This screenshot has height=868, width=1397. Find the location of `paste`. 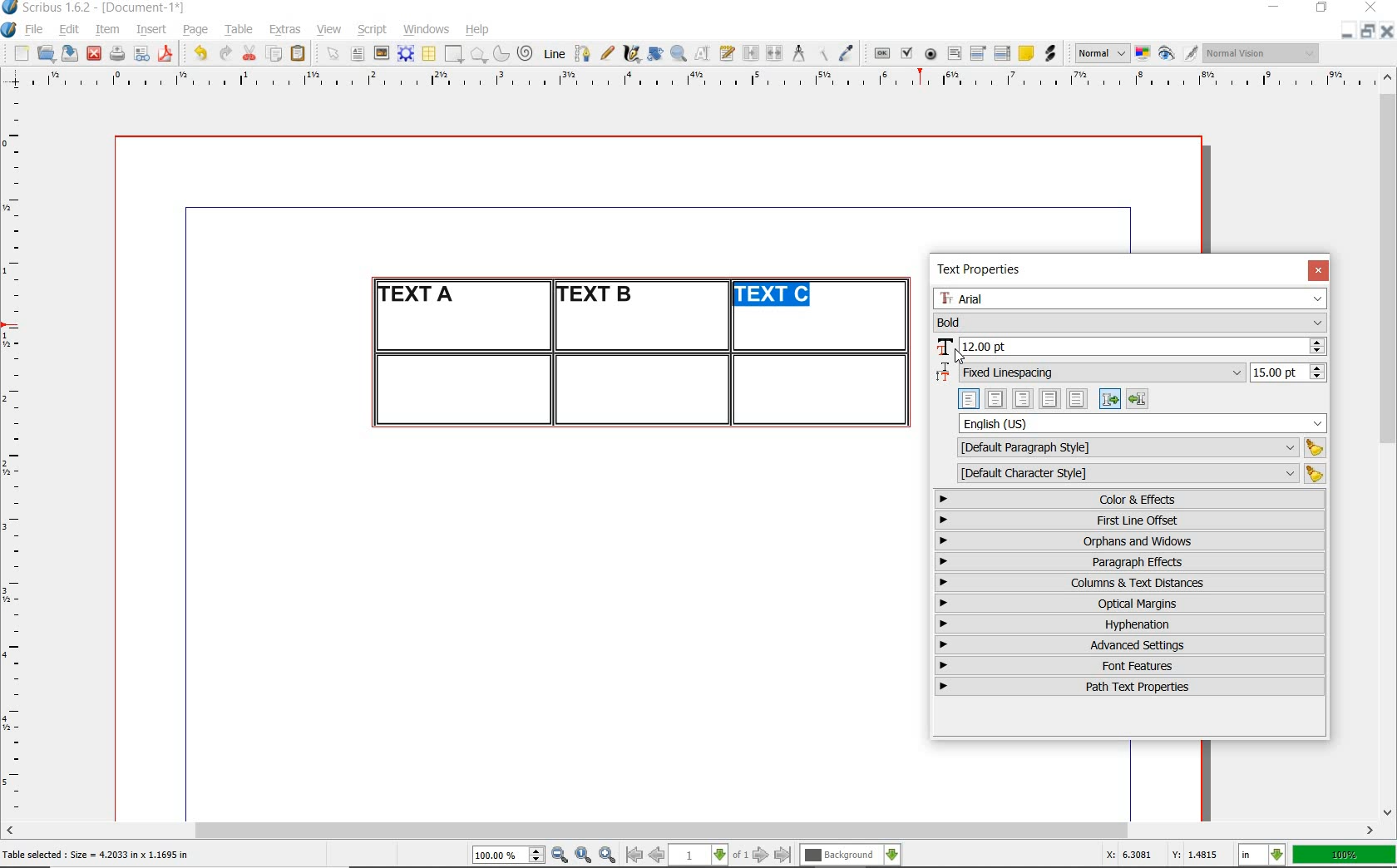

paste is located at coordinates (301, 54).